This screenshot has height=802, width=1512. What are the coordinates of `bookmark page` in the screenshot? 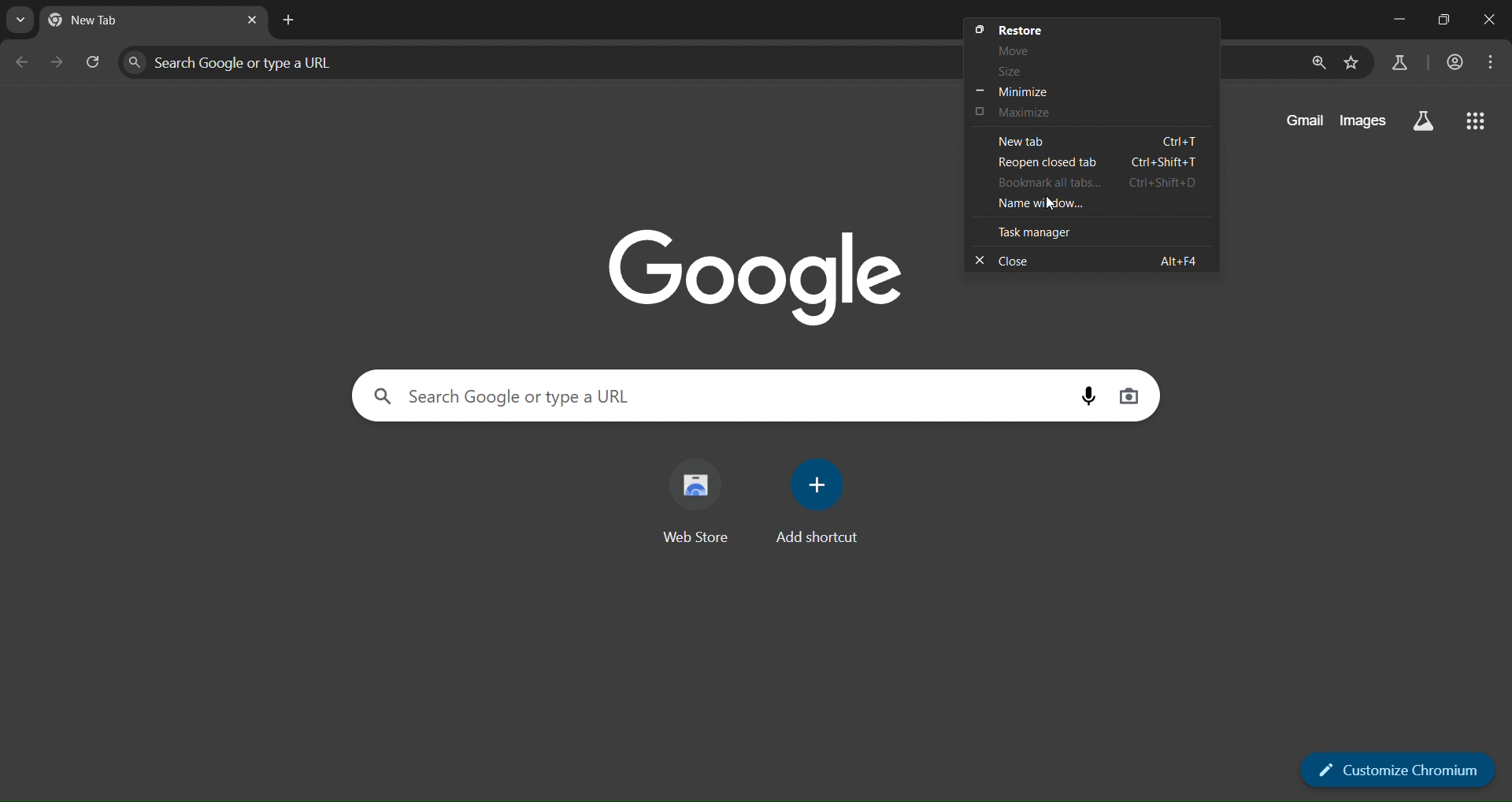 It's located at (1354, 63).